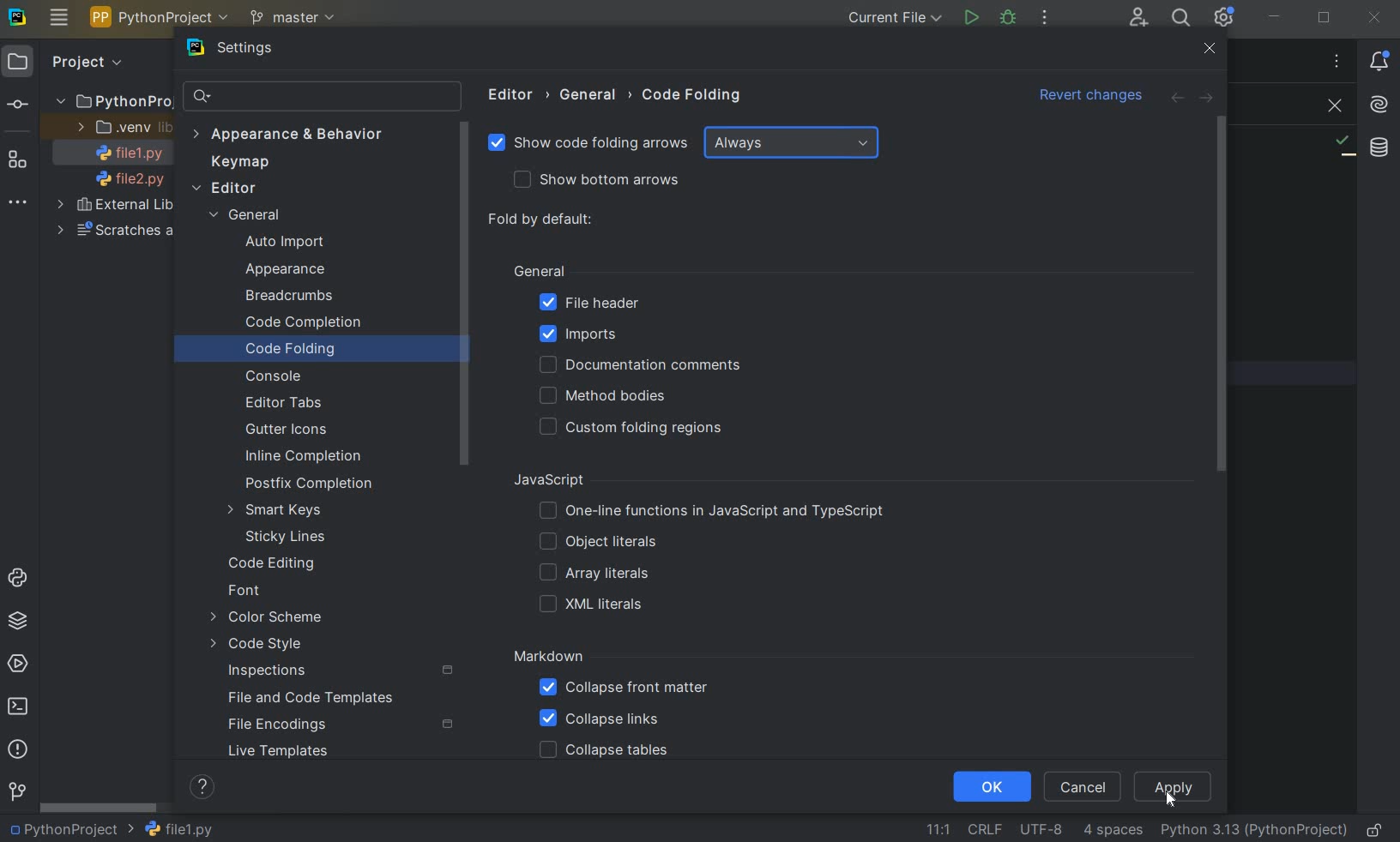 This screenshot has height=842, width=1400. What do you see at coordinates (1176, 99) in the screenshot?
I see `BACK` at bounding box center [1176, 99].